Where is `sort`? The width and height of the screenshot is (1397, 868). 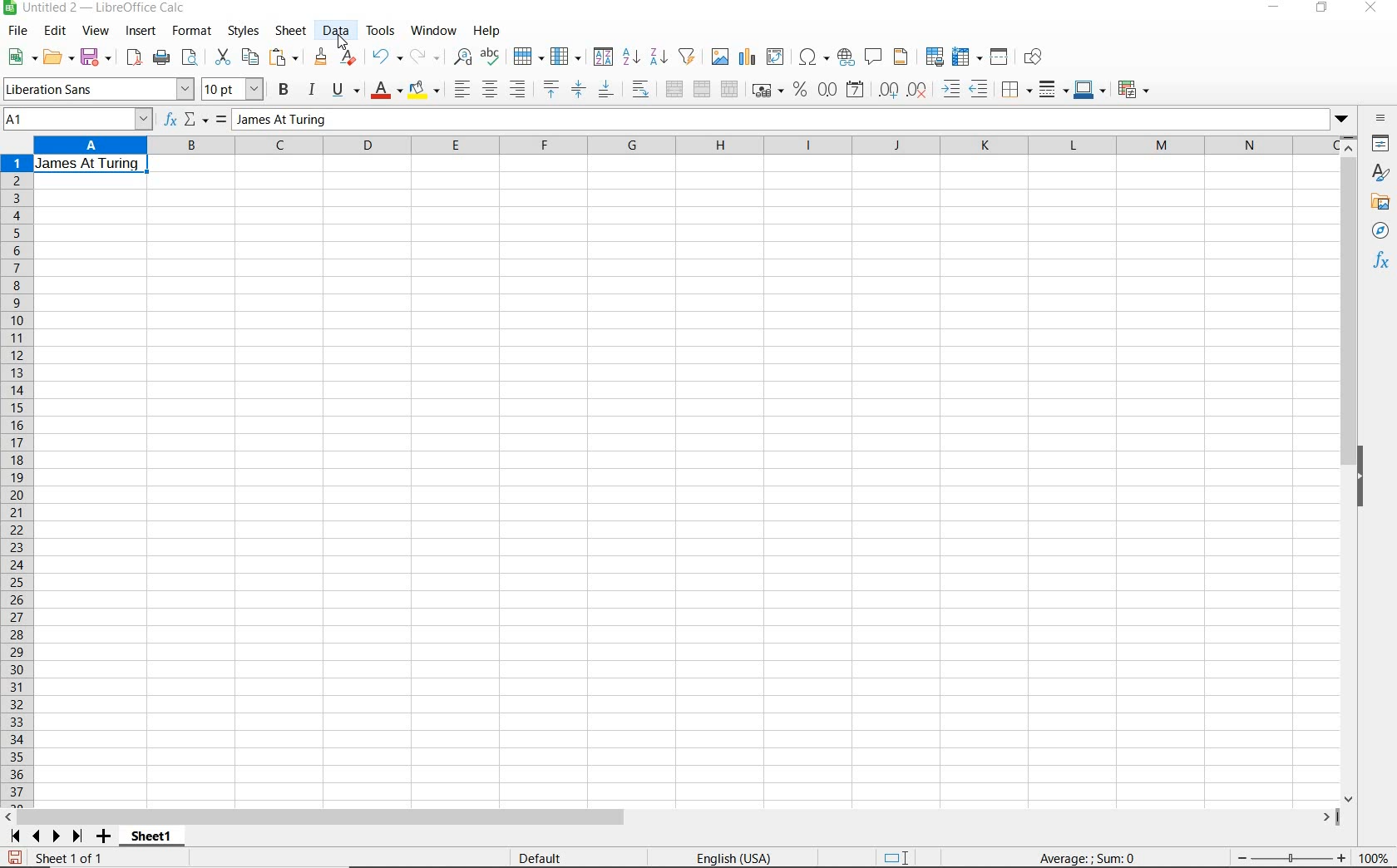 sort is located at coordinates (601, 58).